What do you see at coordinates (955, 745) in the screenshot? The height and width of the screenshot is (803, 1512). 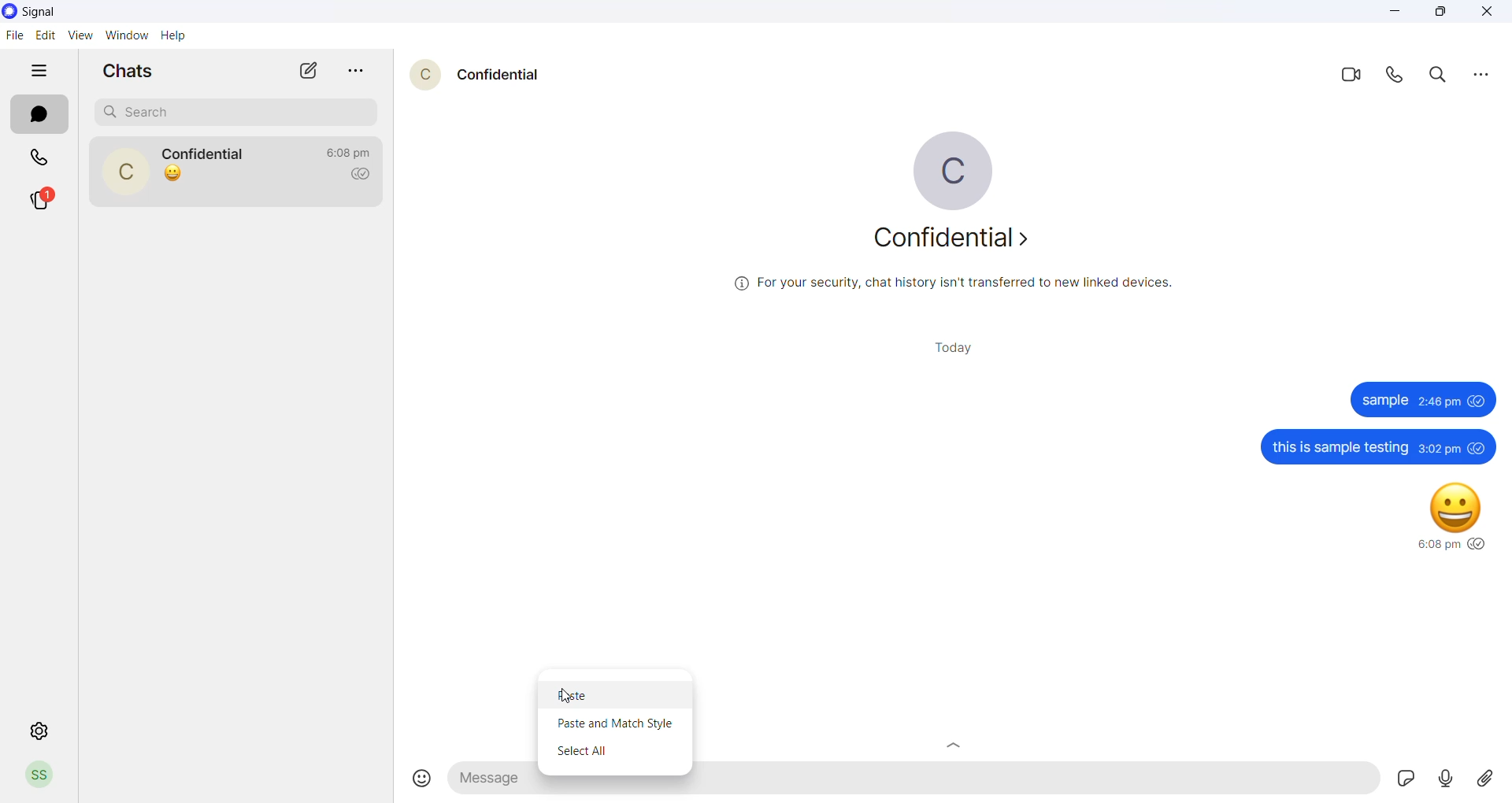 I see `button` at bounding box center [955, 745].